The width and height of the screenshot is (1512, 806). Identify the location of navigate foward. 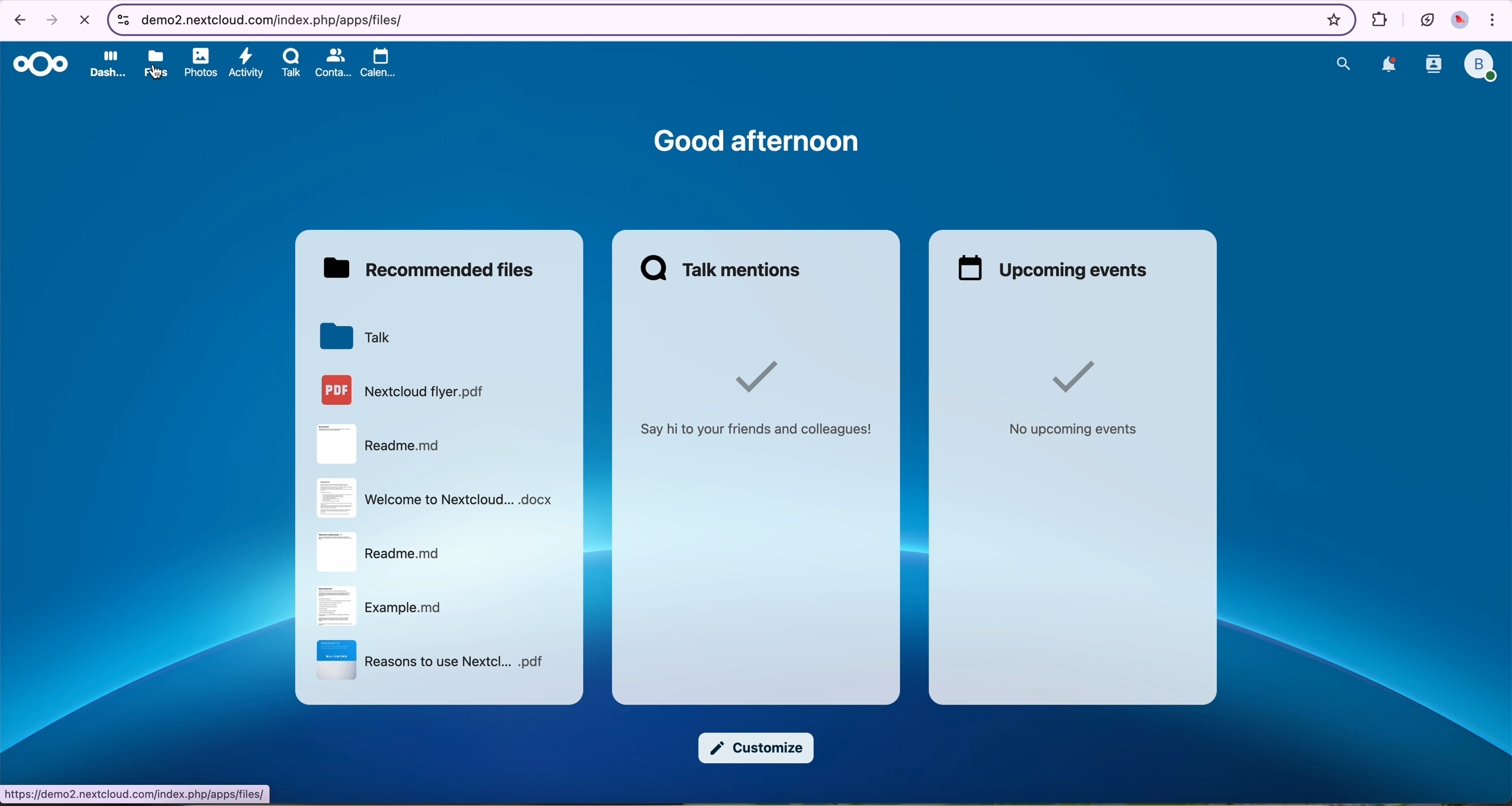
(51, 21).